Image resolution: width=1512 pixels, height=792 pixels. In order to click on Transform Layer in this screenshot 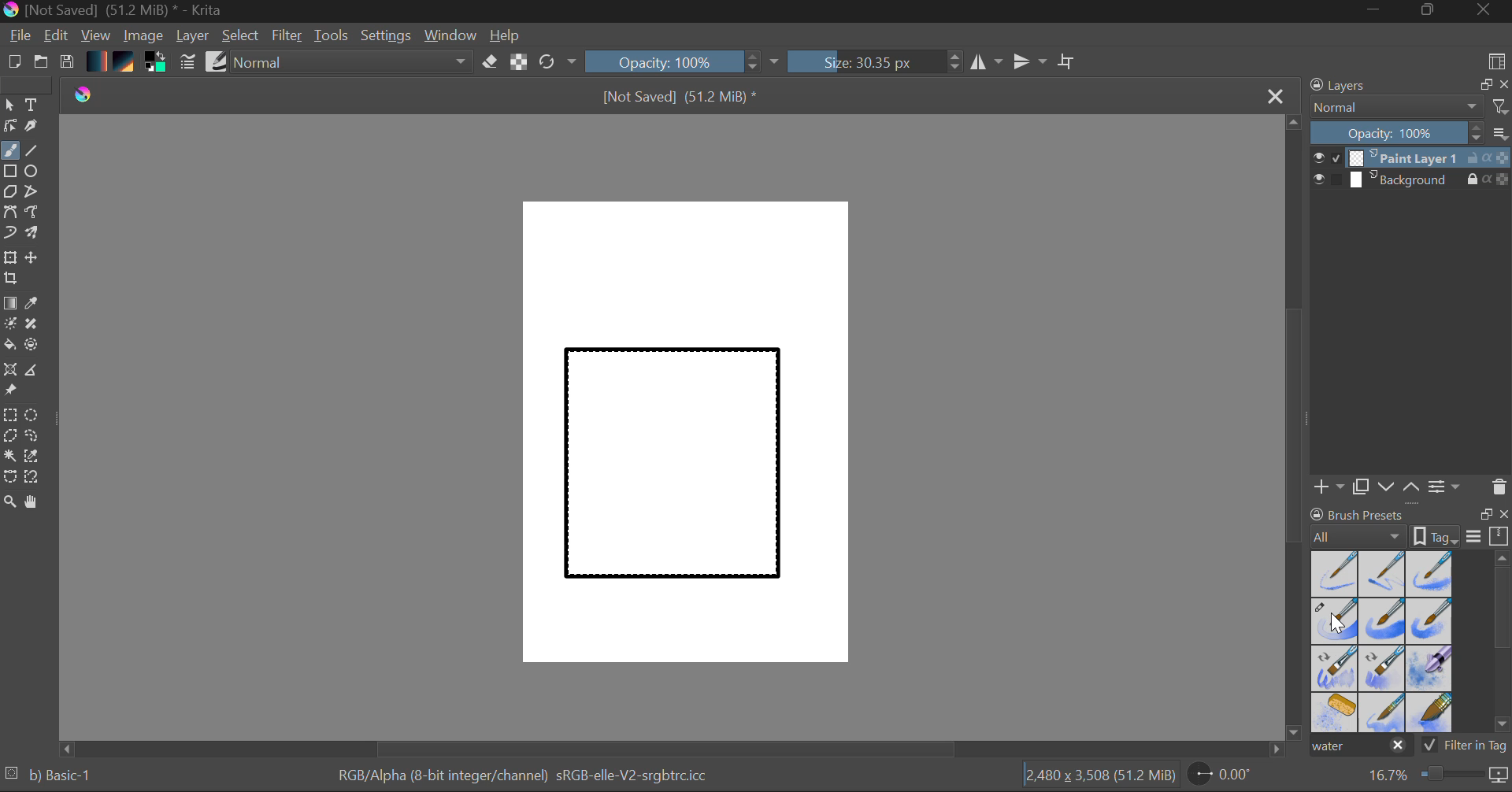, I will do `click(9, 256)`.